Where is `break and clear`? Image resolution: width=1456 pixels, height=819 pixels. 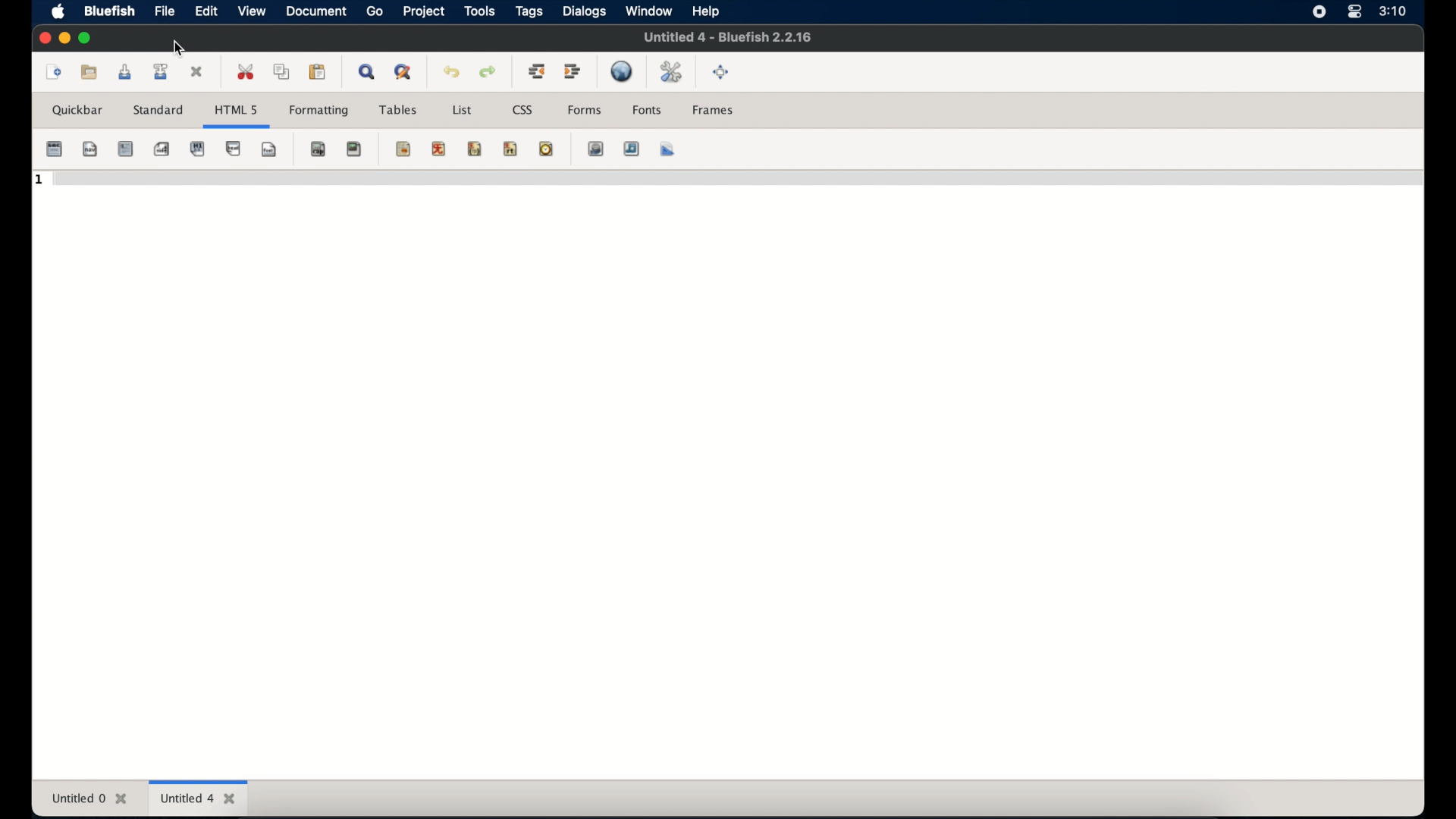 break and clear is located at coordinates (269, 149).